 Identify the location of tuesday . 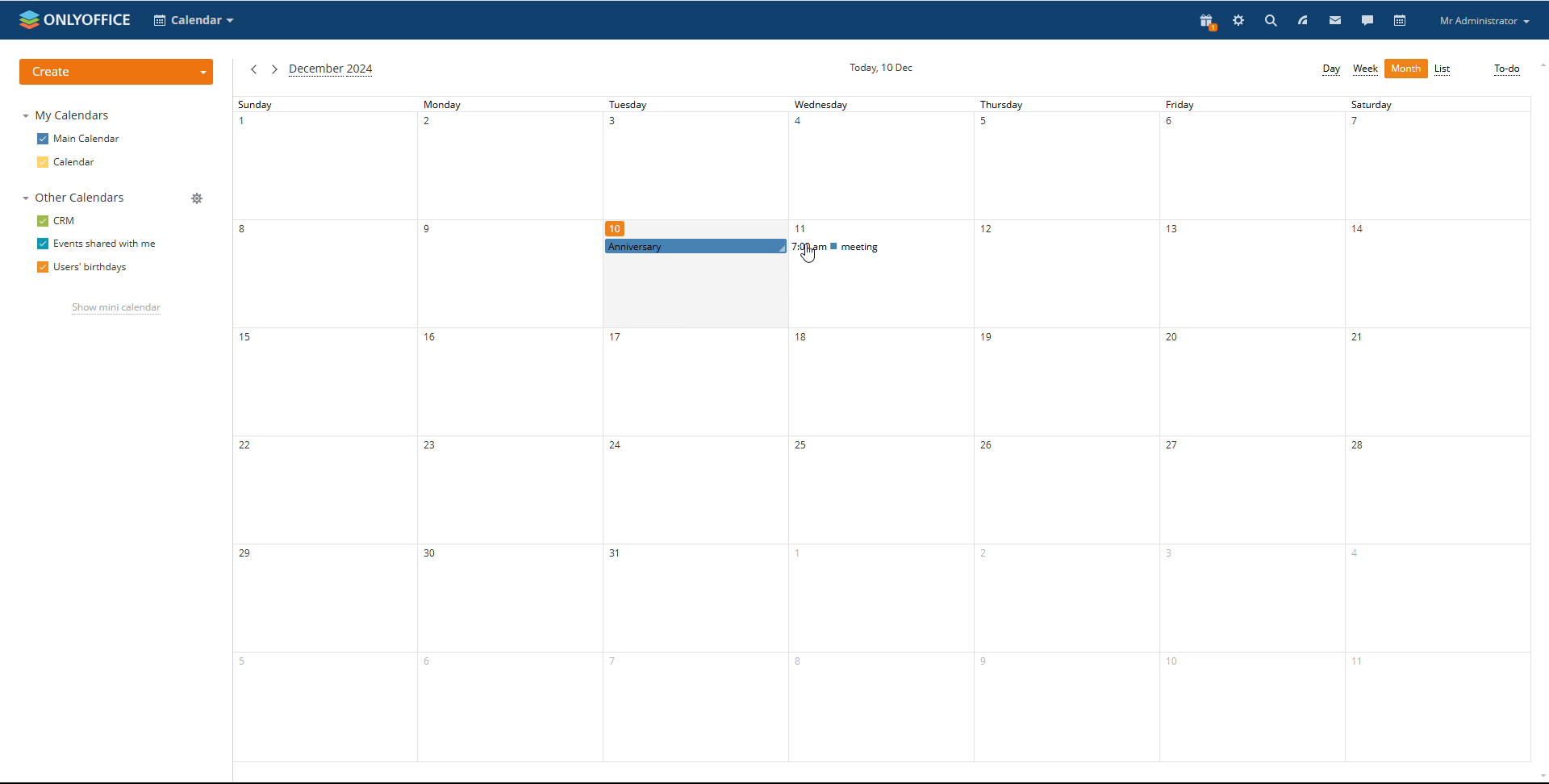
(694, 166).